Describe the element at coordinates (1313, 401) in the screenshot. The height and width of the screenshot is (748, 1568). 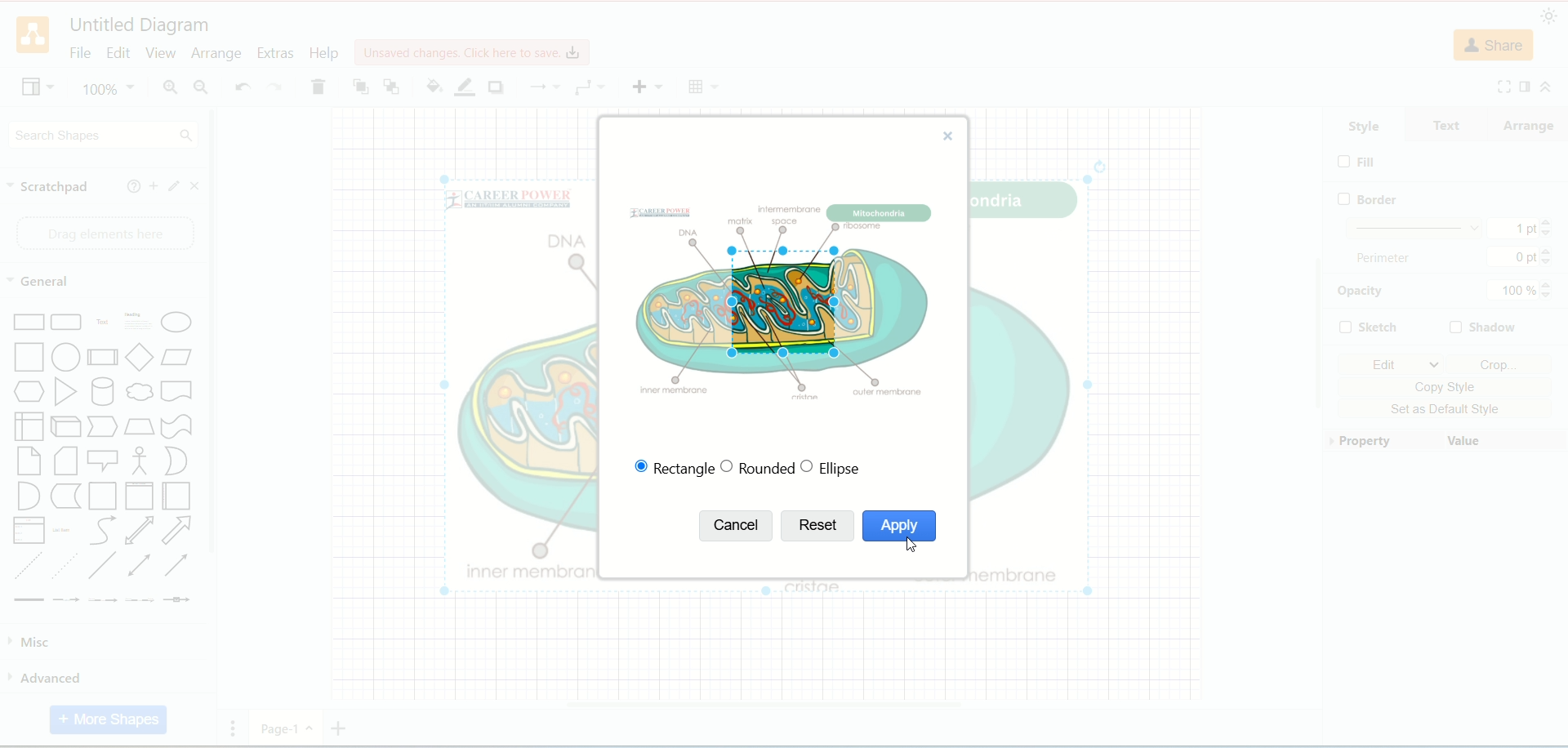
I see `Vertical Scroll Bar` at that location.